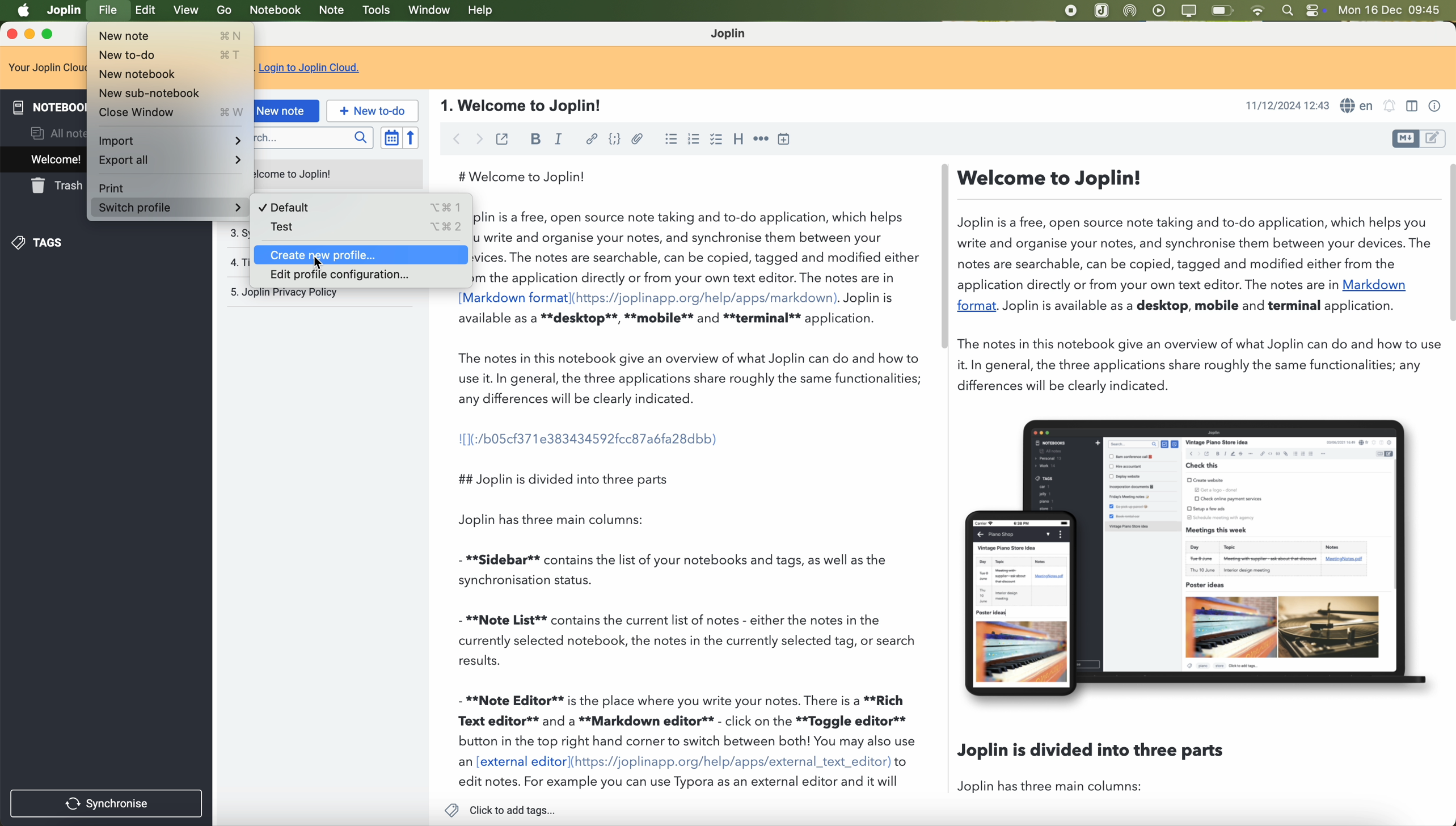 This screenshot has width=1456, height=826. I want to click on Joplin, so click(731, 34).